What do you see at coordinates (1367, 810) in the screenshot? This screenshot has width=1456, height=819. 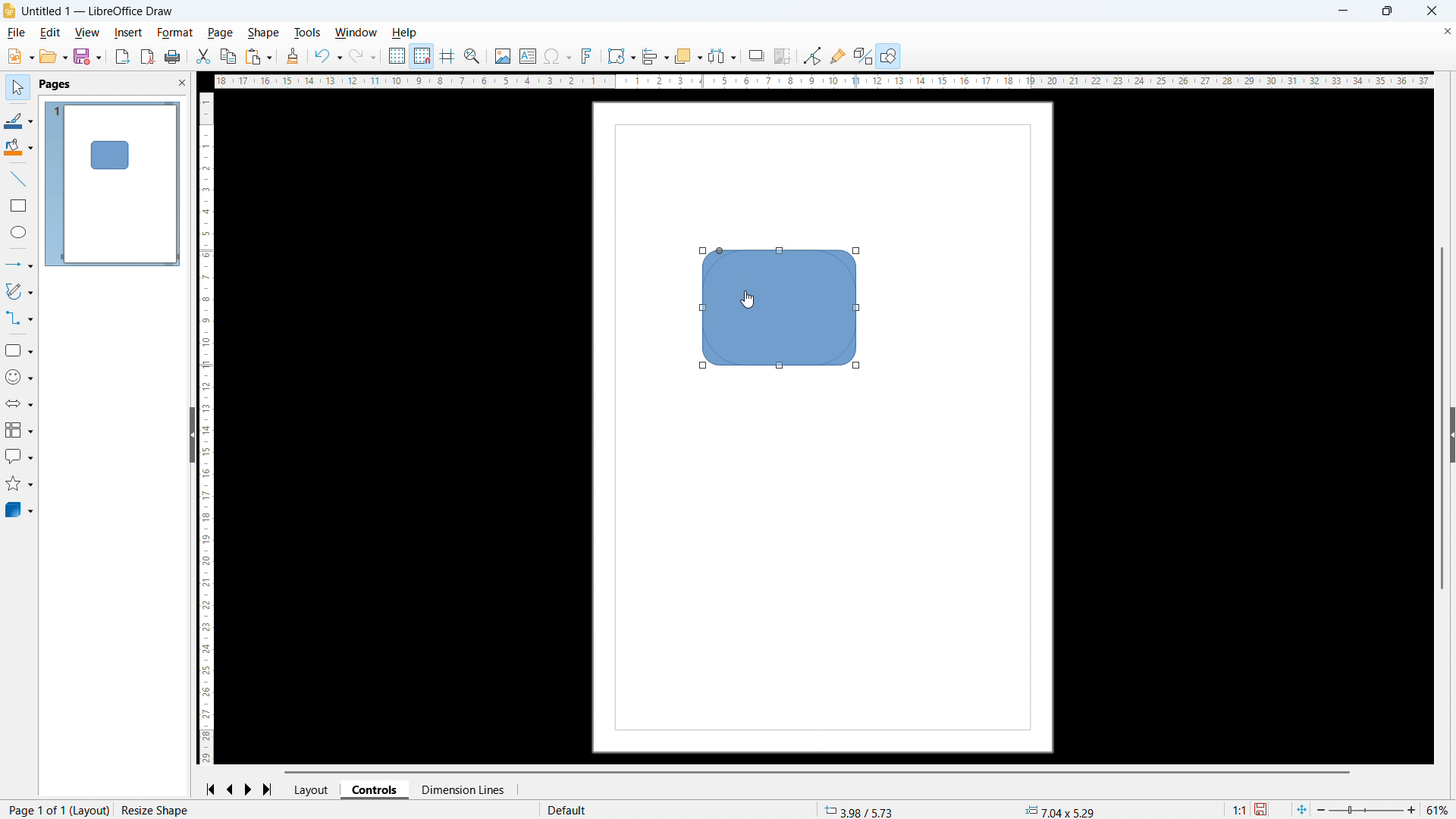 I see `Zoom slider ` at bounding box center [1367, 810].